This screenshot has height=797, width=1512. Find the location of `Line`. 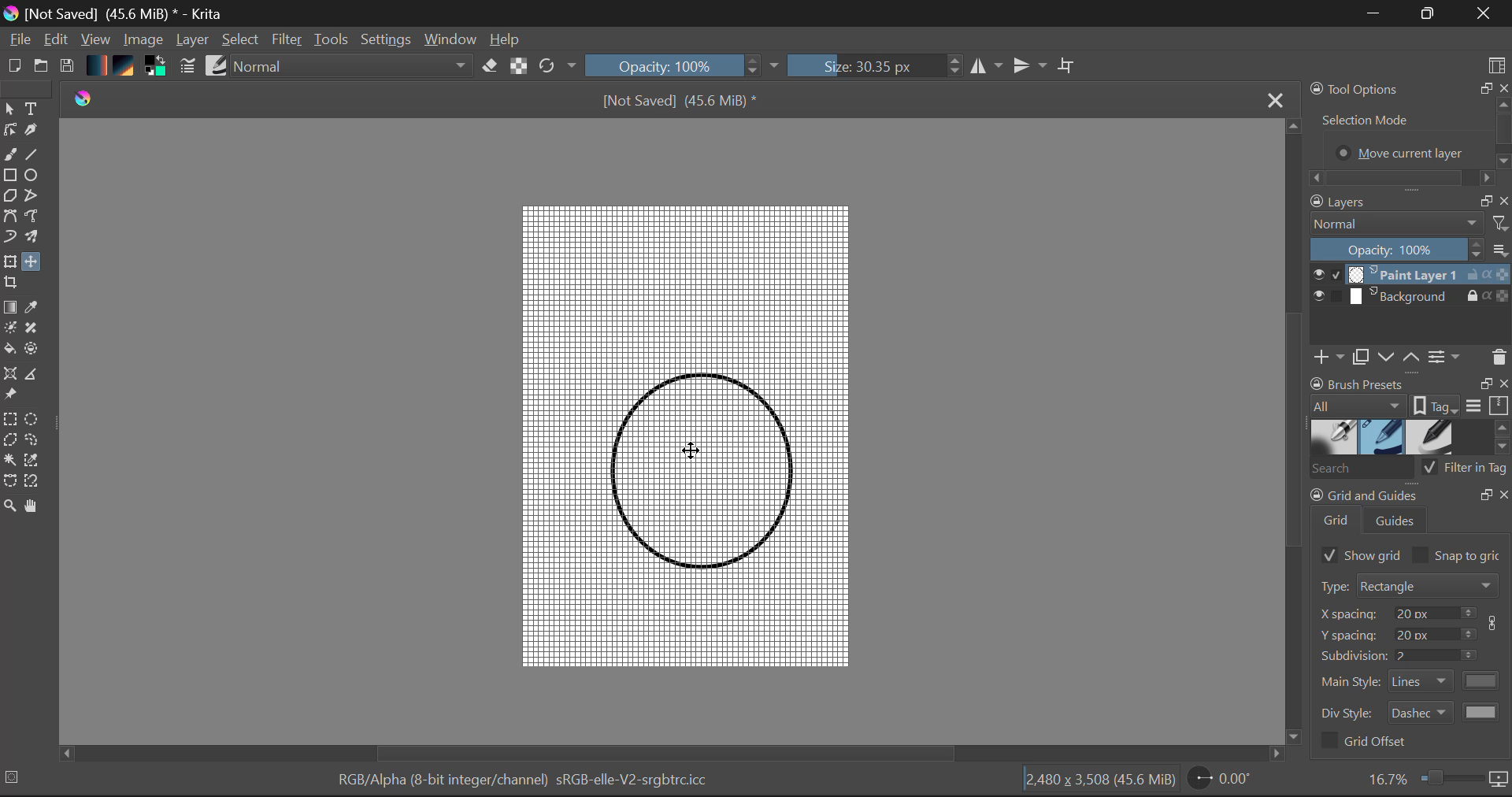

Line is located at coordinates (34, 154).